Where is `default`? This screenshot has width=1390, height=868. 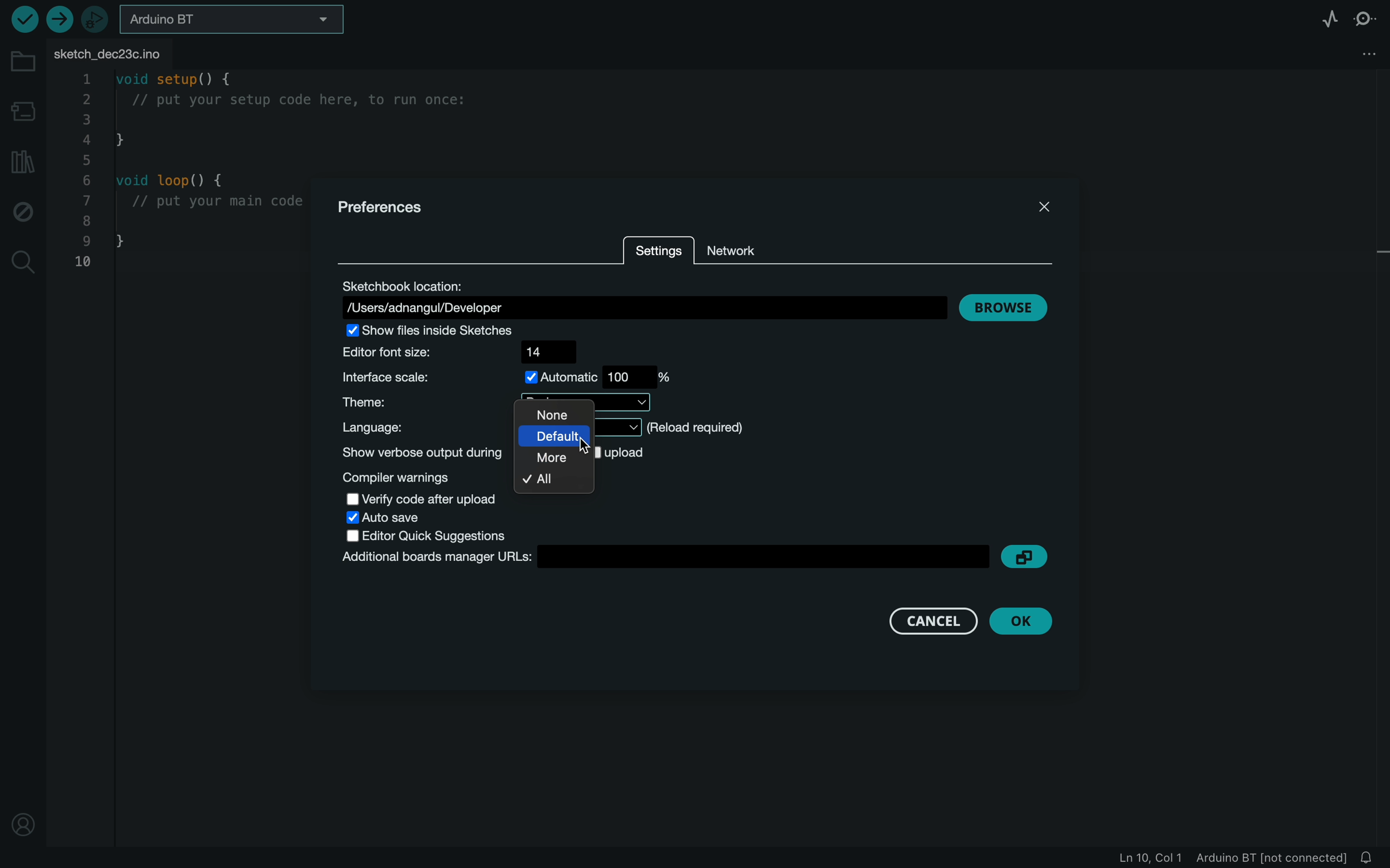
default is located at coordinates (557, 438).